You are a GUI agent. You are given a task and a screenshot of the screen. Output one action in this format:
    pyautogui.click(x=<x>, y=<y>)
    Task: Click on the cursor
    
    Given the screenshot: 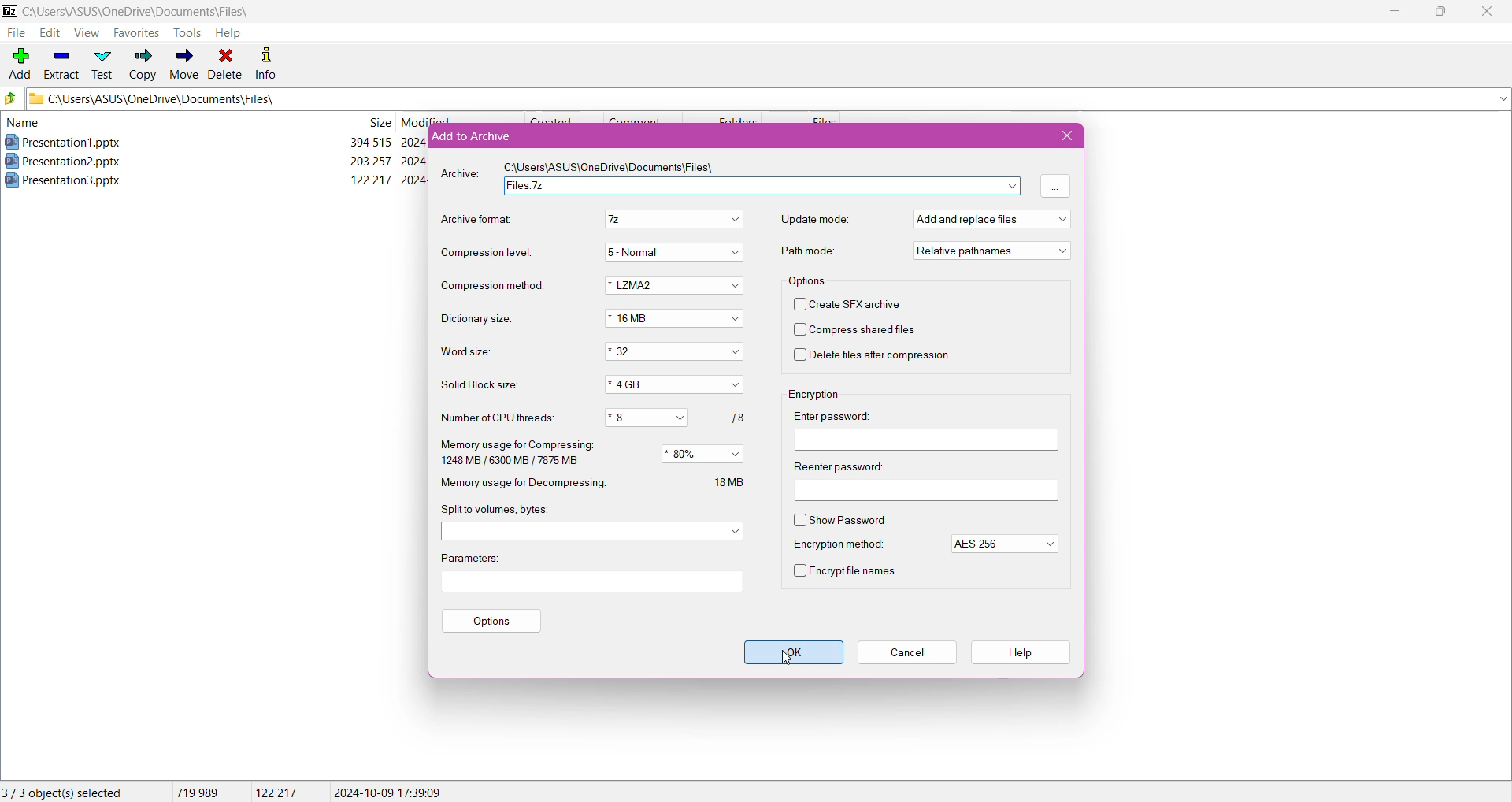 What is the action you would take?
    pyautogui.click(x=787, y=663)
    